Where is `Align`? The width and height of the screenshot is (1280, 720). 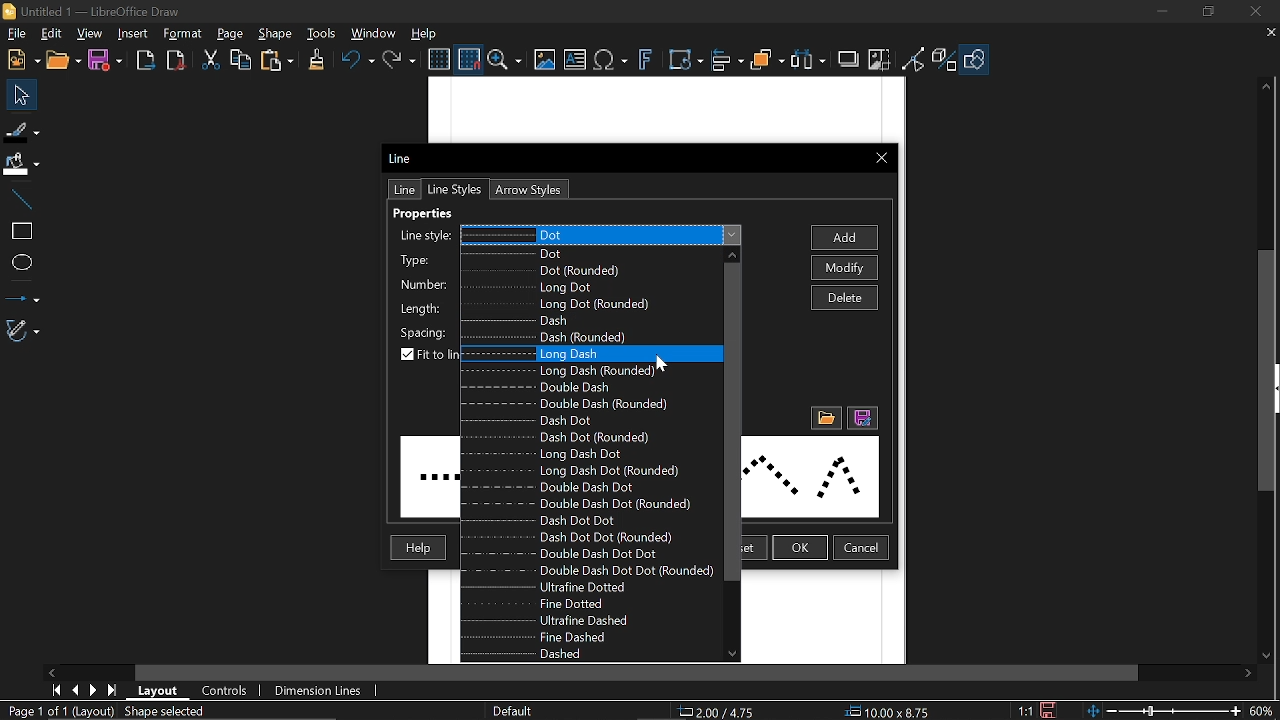 Align is located at coordinates (728, 61).